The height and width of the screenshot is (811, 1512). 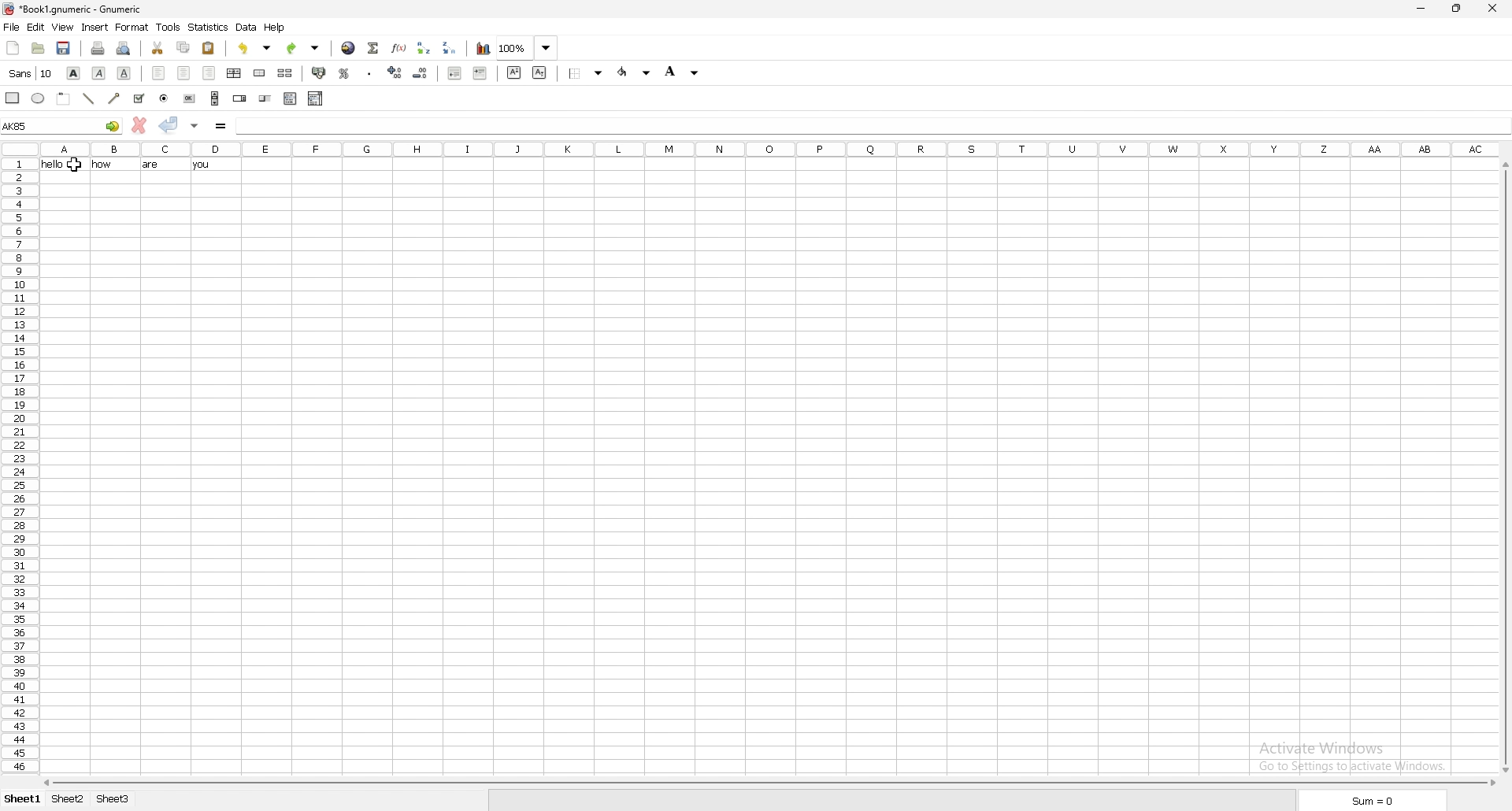 What do you see at coordinates (12, 27) in the screenshot?
I see `file` at bounding box center [12, 27].